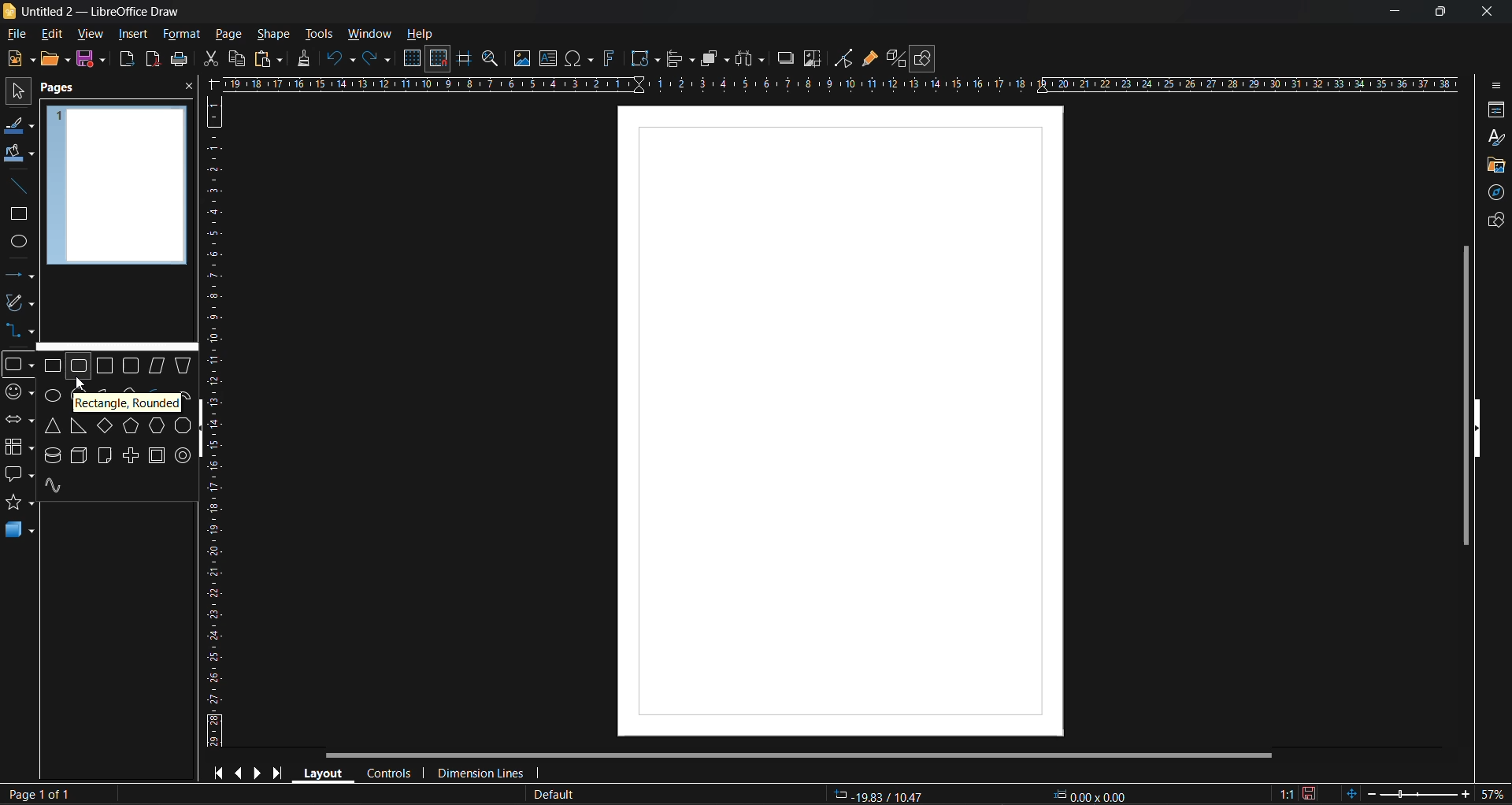  I want to click on ellipse, so click(51, 397).